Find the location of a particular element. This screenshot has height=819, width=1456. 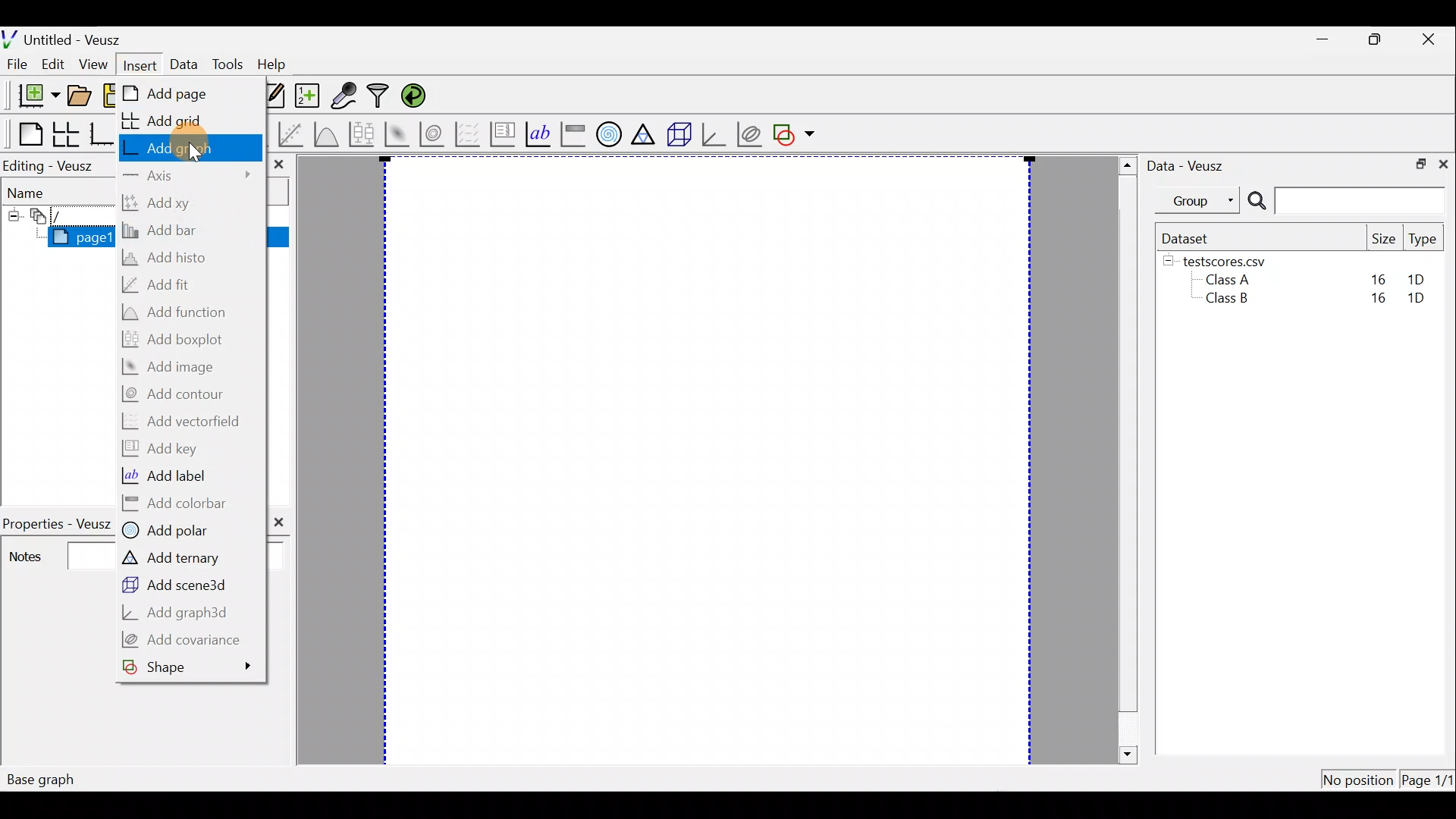

Add colorbar is located at coordinates (177, 503).